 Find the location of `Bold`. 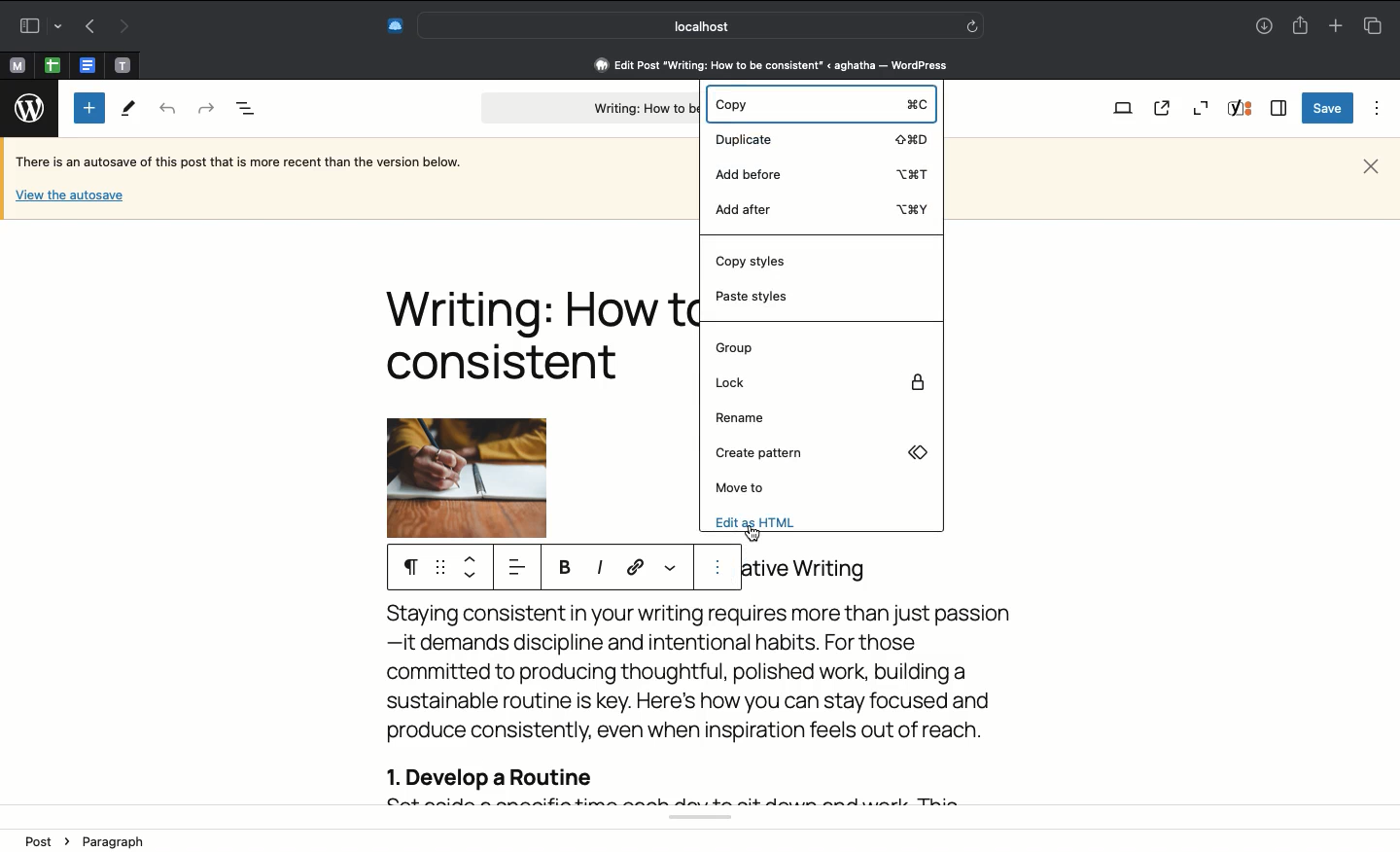

Bold is located at coordinates (567, 568).